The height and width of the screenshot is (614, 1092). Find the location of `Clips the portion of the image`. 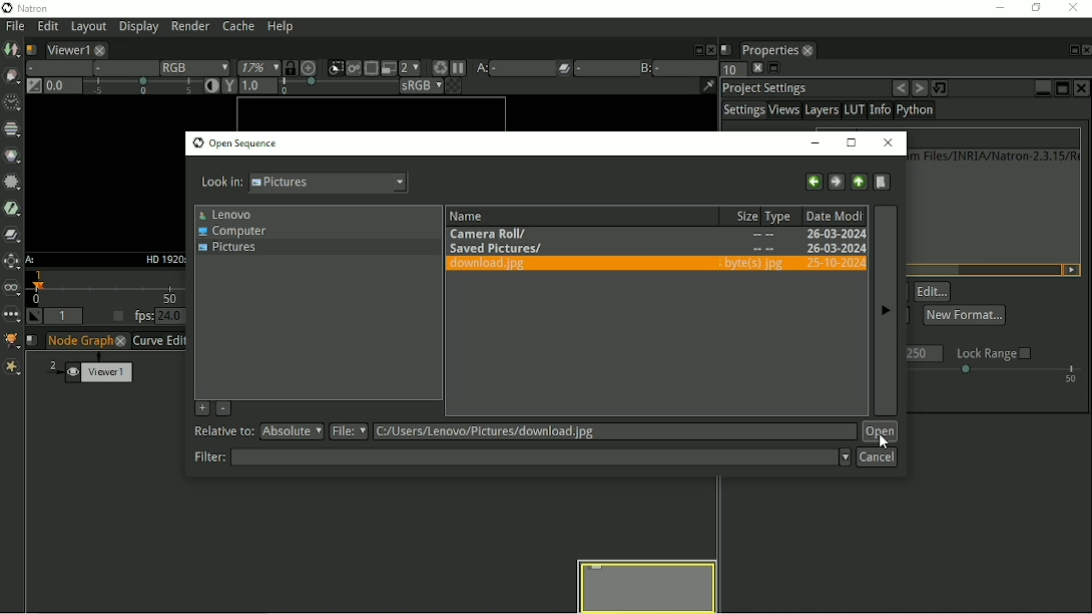

Clips the portion of the image is located at coordinates (334, 68).